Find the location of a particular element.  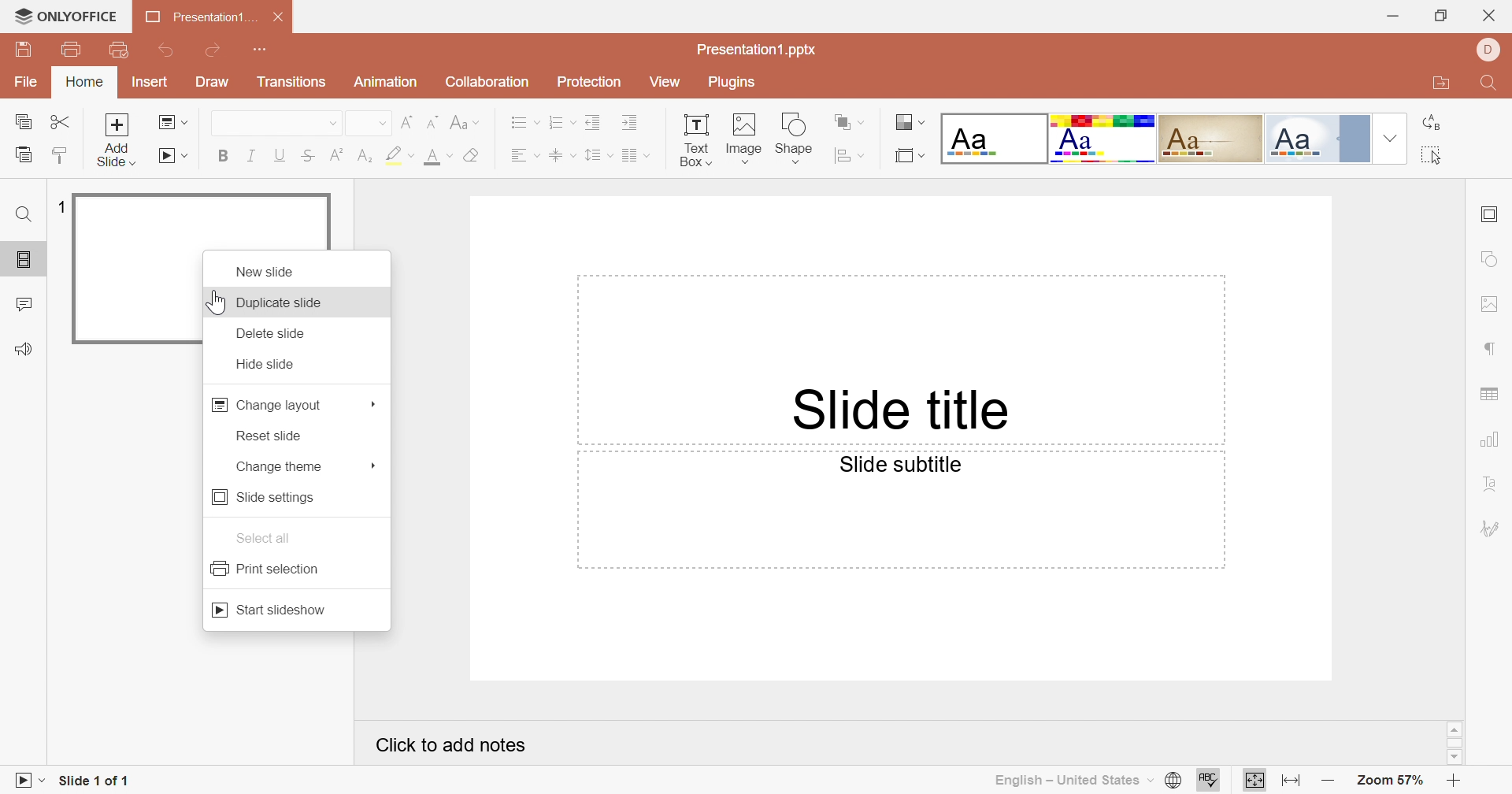

Cut is located at coordinates (61, 121).